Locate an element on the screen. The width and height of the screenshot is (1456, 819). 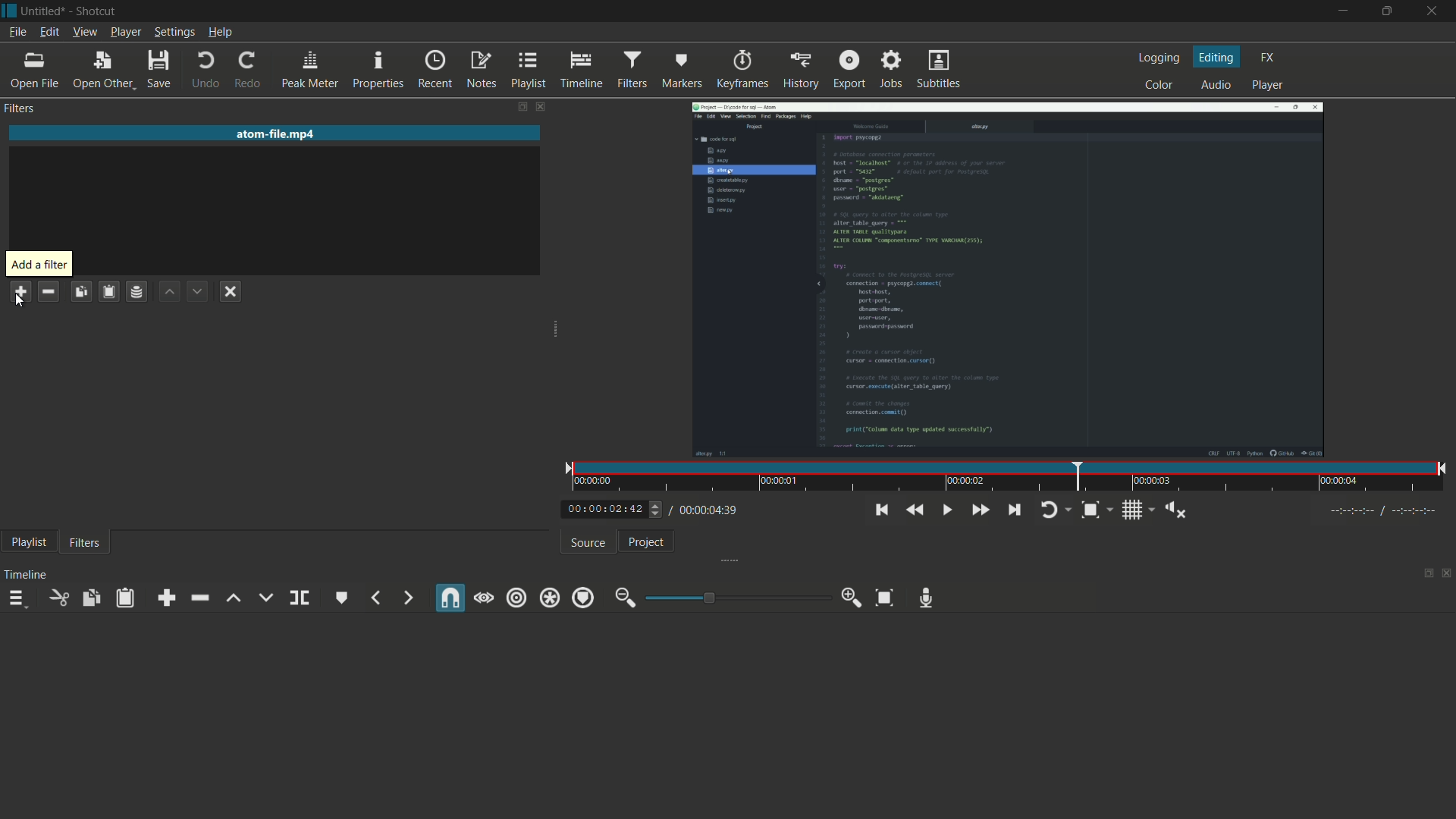
snap is located at coordinates (448, 599).